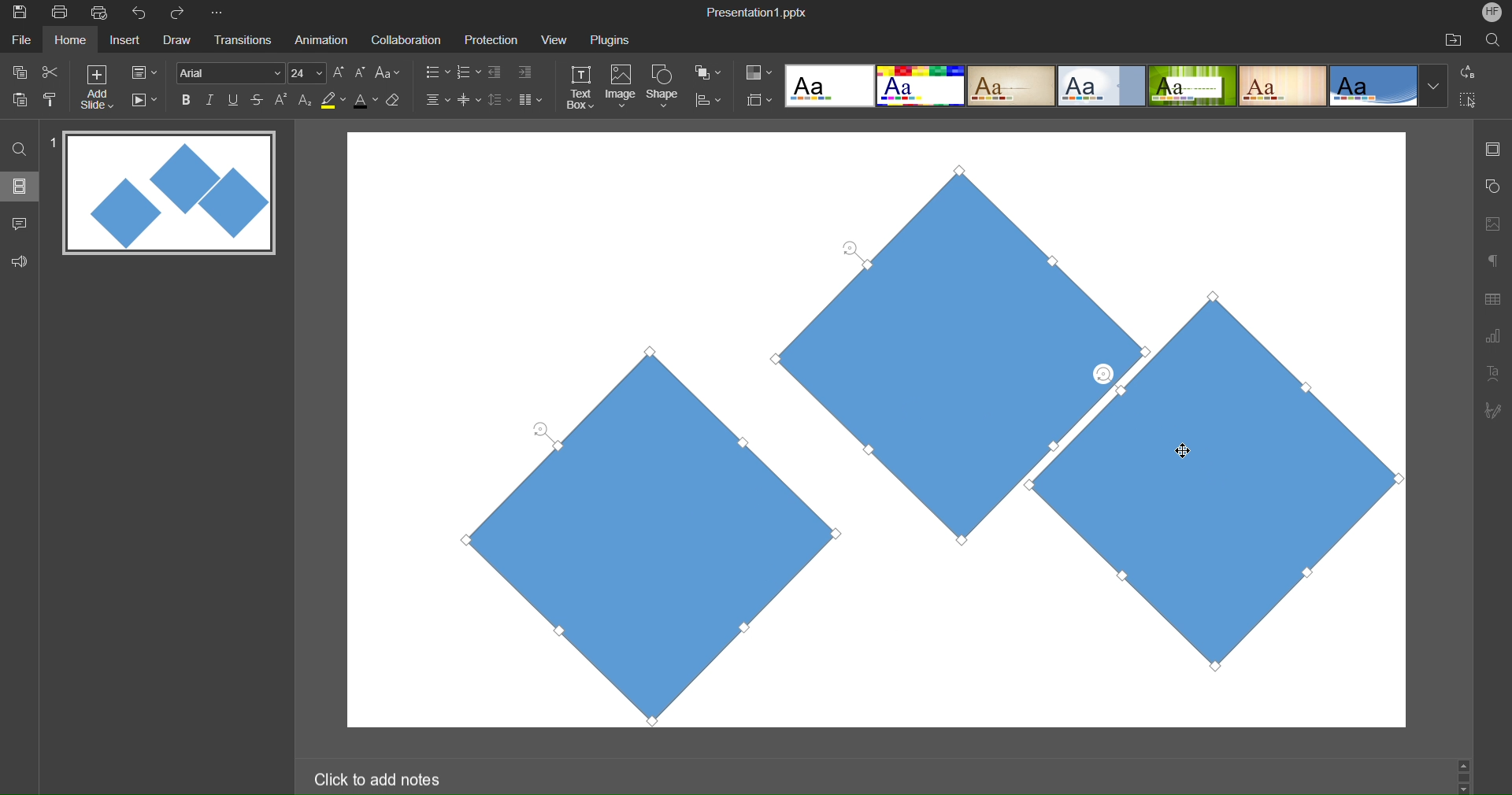 This screenshot has width=1512, height=795. I want to click on Slide Settings, so click(1491, 149).